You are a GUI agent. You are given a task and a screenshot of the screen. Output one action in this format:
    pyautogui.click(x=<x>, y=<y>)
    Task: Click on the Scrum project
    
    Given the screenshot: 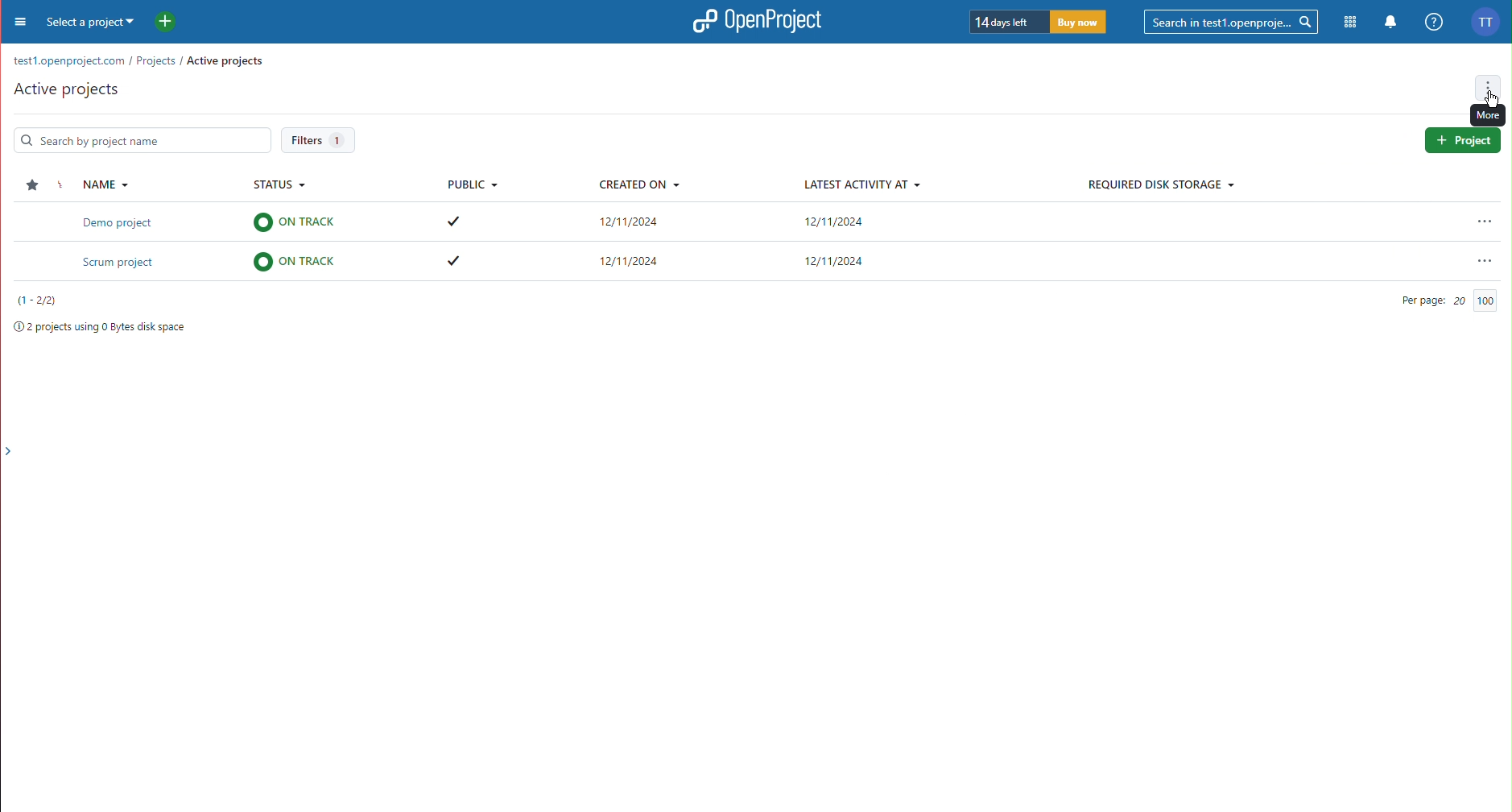 What is the action you would take?
    pyautogui.click(x=791, y=264)
    